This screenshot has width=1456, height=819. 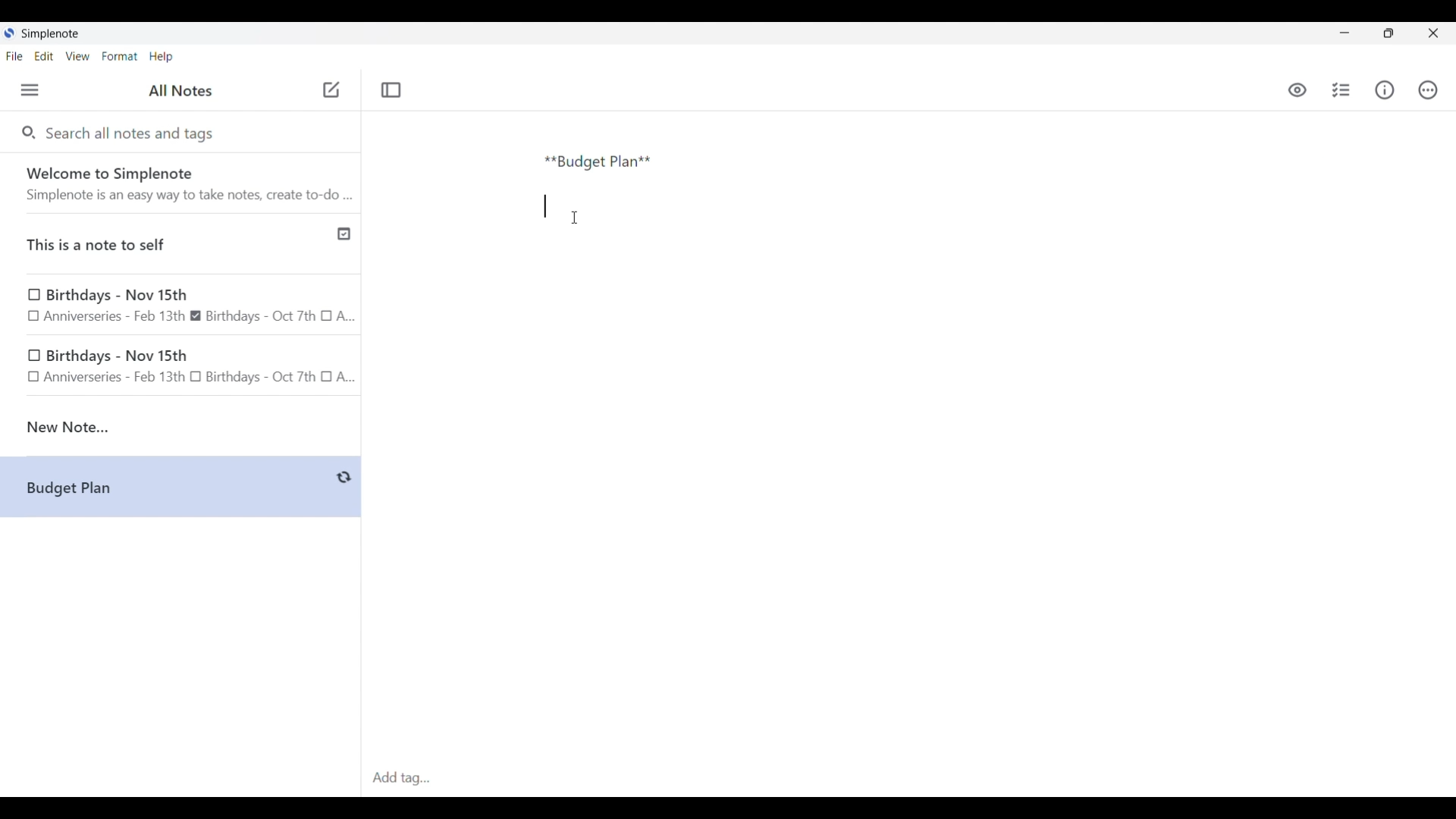 What do you see at coordinates (52, 34) in the screenshot?
I see `Software name` at bounding box center [52, 34].